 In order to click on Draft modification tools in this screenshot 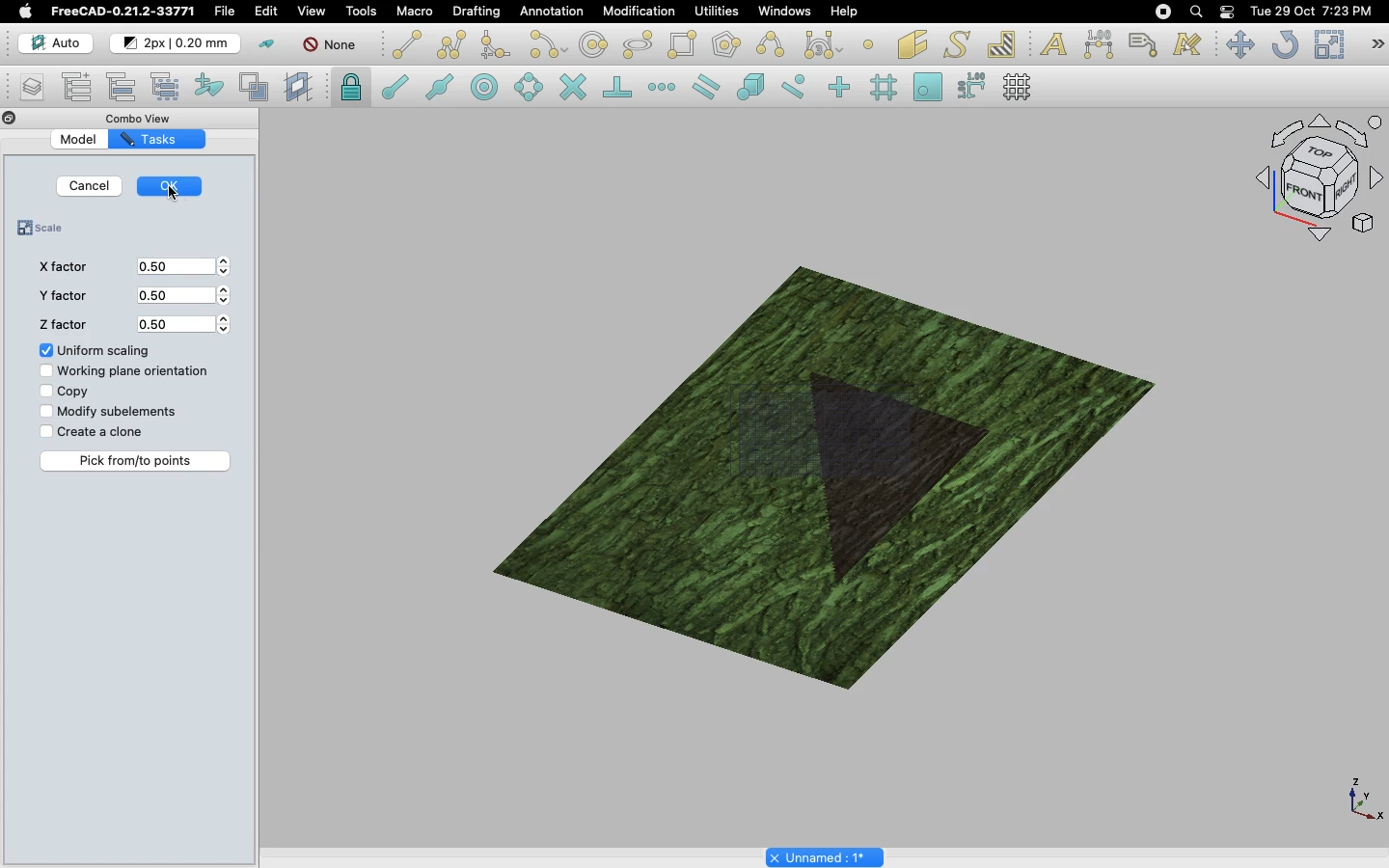, I will do `click(1377, 44)`.